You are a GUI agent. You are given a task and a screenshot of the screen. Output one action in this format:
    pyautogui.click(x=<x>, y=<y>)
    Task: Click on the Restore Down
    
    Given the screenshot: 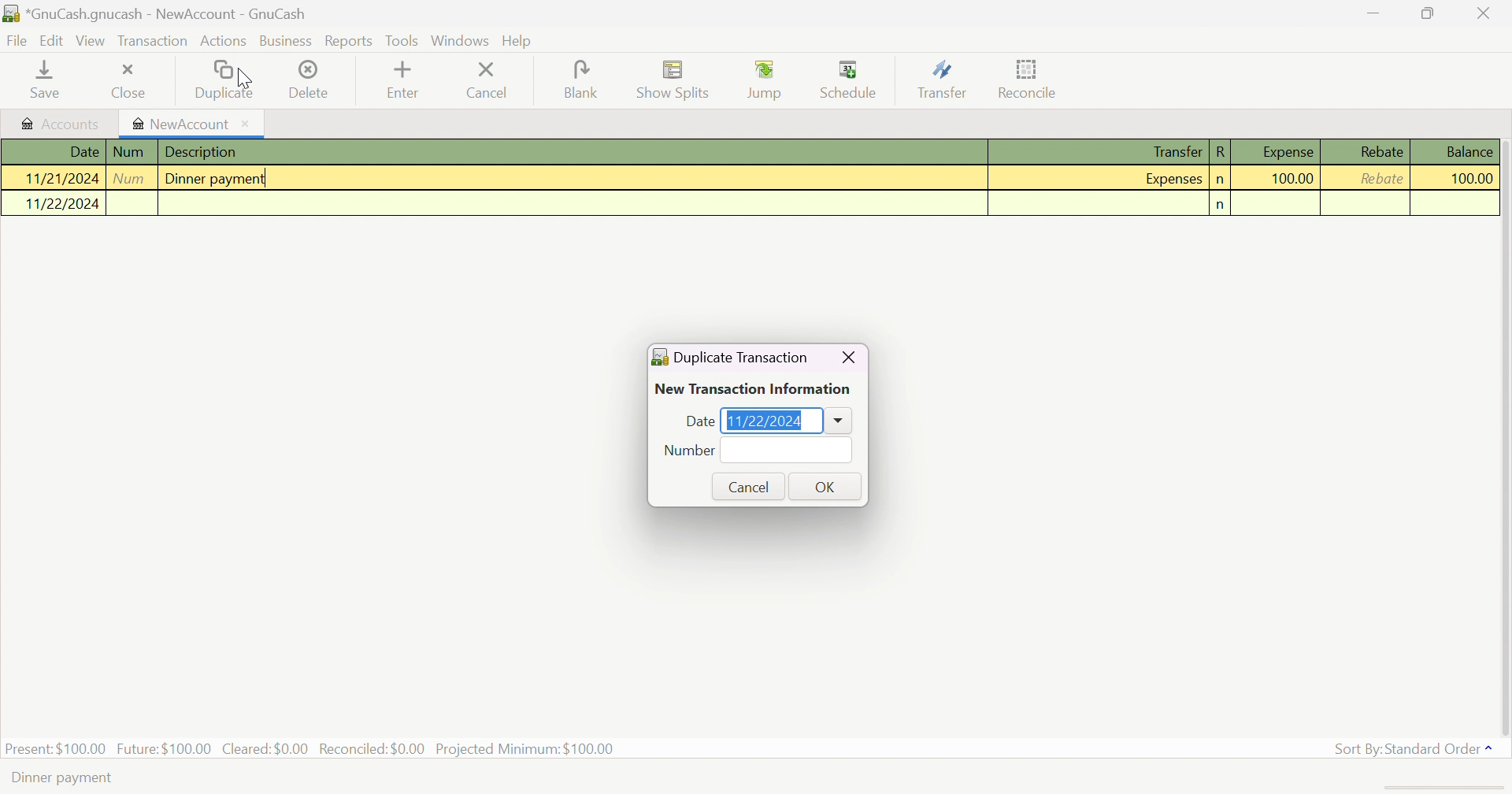 What is the action you would take?
    pyautogui.click(x=1430, y=13)
    